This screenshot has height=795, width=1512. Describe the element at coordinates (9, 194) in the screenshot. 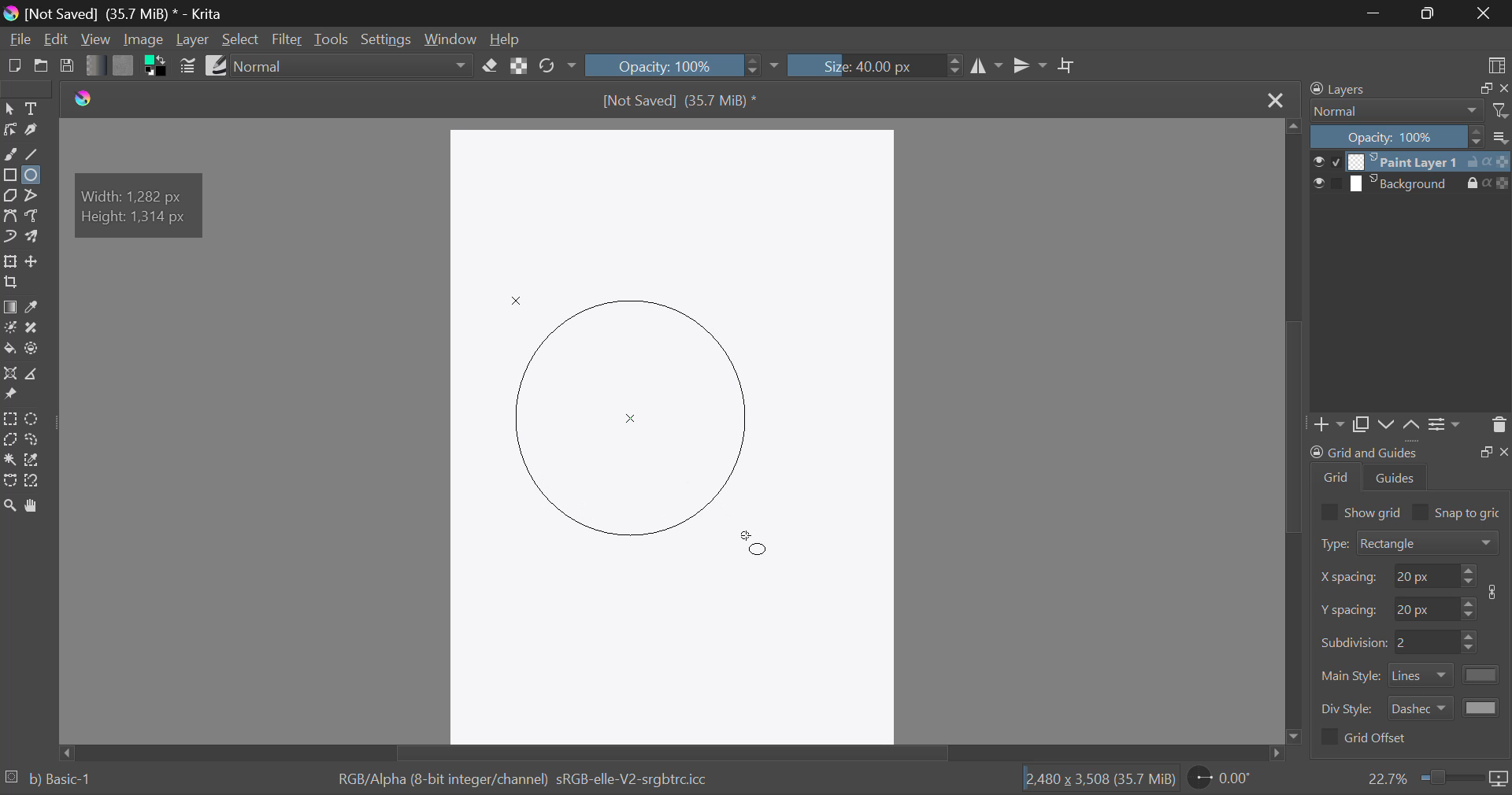

I see `Polygon` at that location.